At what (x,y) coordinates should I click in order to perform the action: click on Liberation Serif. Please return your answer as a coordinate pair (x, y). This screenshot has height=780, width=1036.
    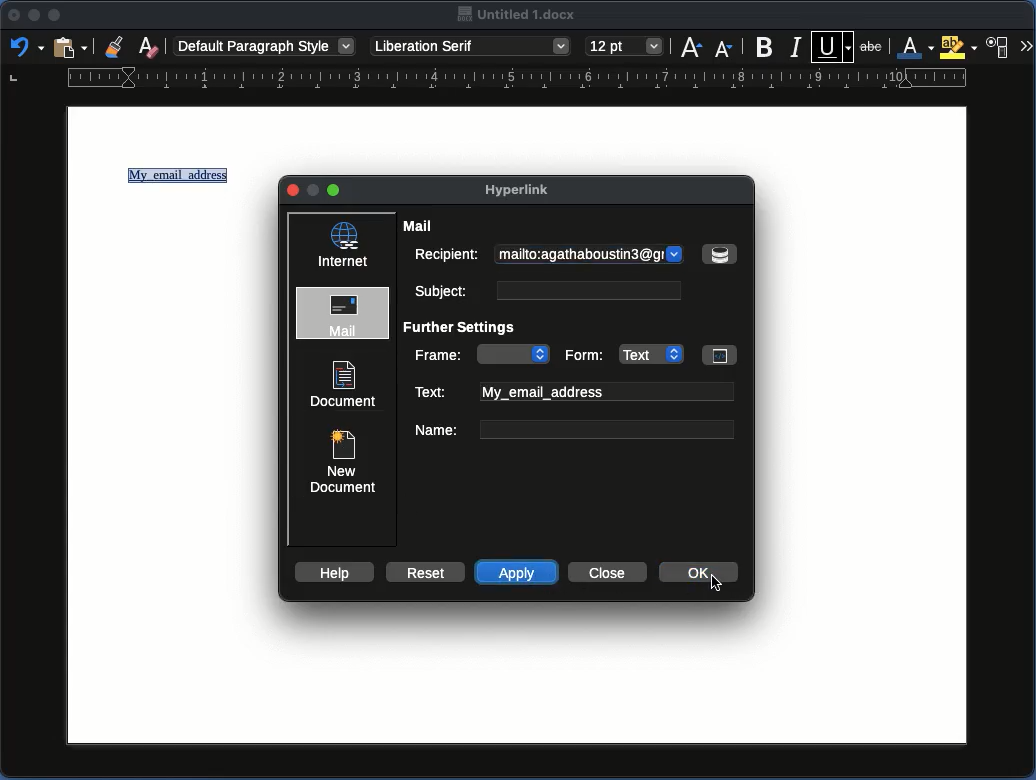
    Looking at the image, I should click on (472, 46).